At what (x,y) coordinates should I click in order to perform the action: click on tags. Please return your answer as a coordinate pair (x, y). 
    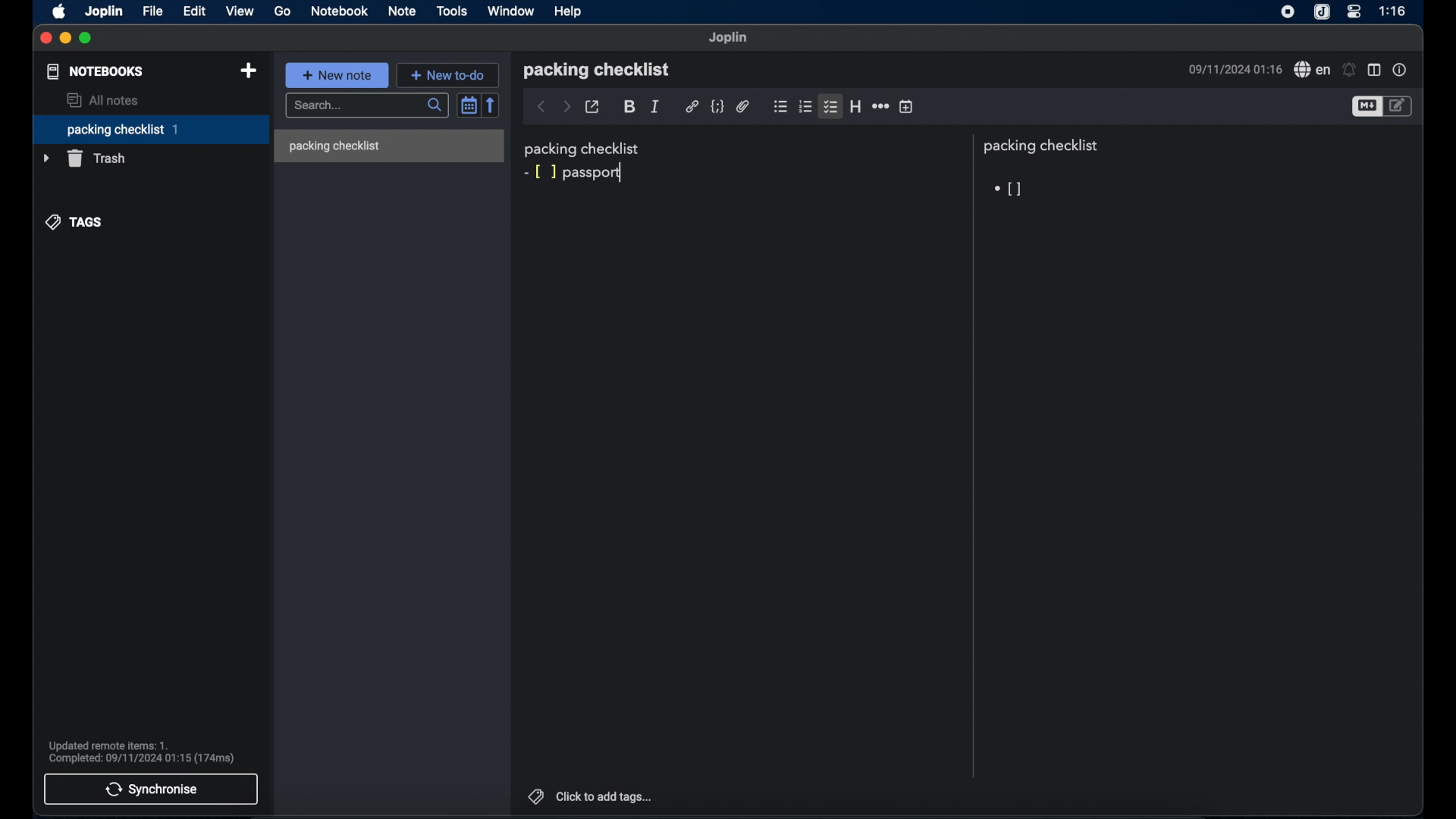
    Looking at the image, I should click on (74, 223).